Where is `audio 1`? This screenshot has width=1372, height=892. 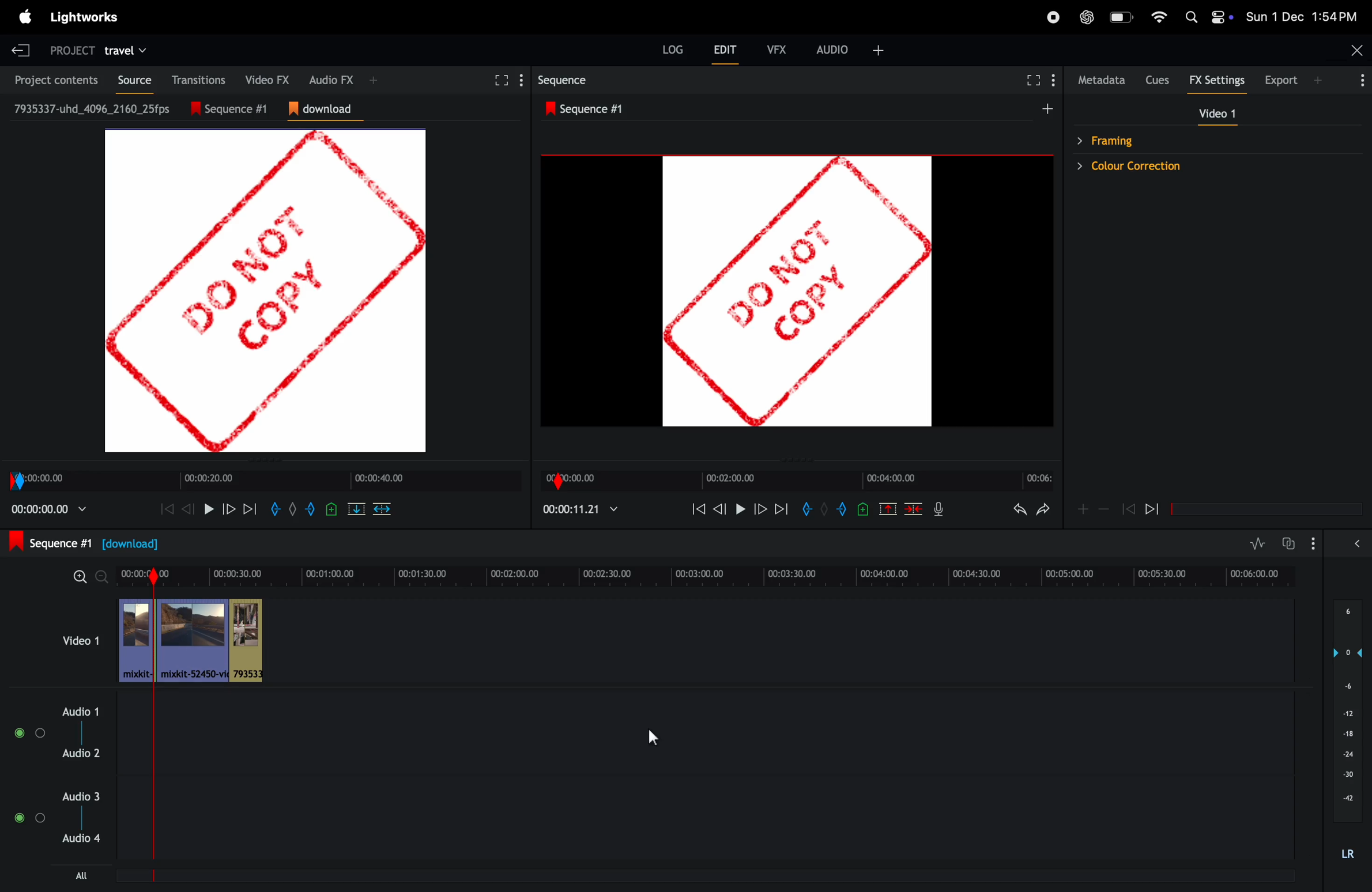
audio 1 is located at coordinates (77, 712).